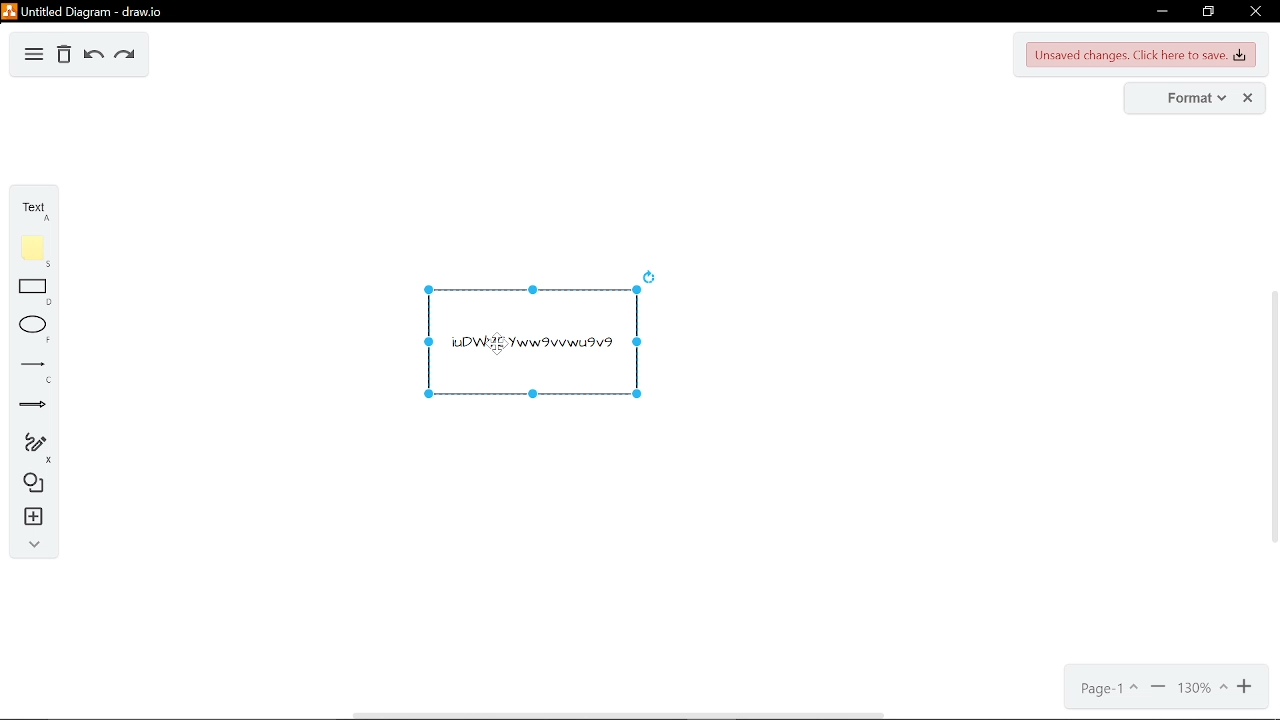 This screenshot has height=720, width=1280. Describe the element at coordinates (29, 548) in the screenshot. I see `collapse` at that location.